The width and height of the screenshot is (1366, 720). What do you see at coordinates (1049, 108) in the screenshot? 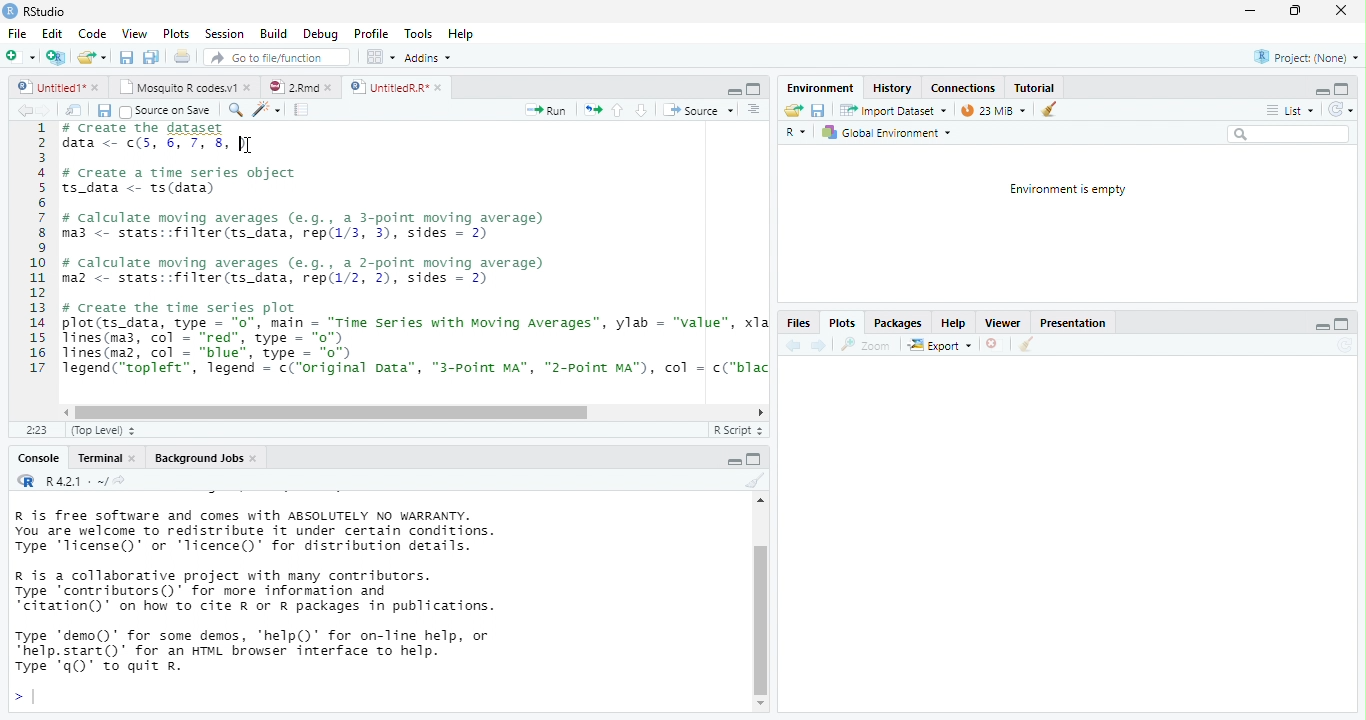
I see `clear` at bounding box center [1049, 108].